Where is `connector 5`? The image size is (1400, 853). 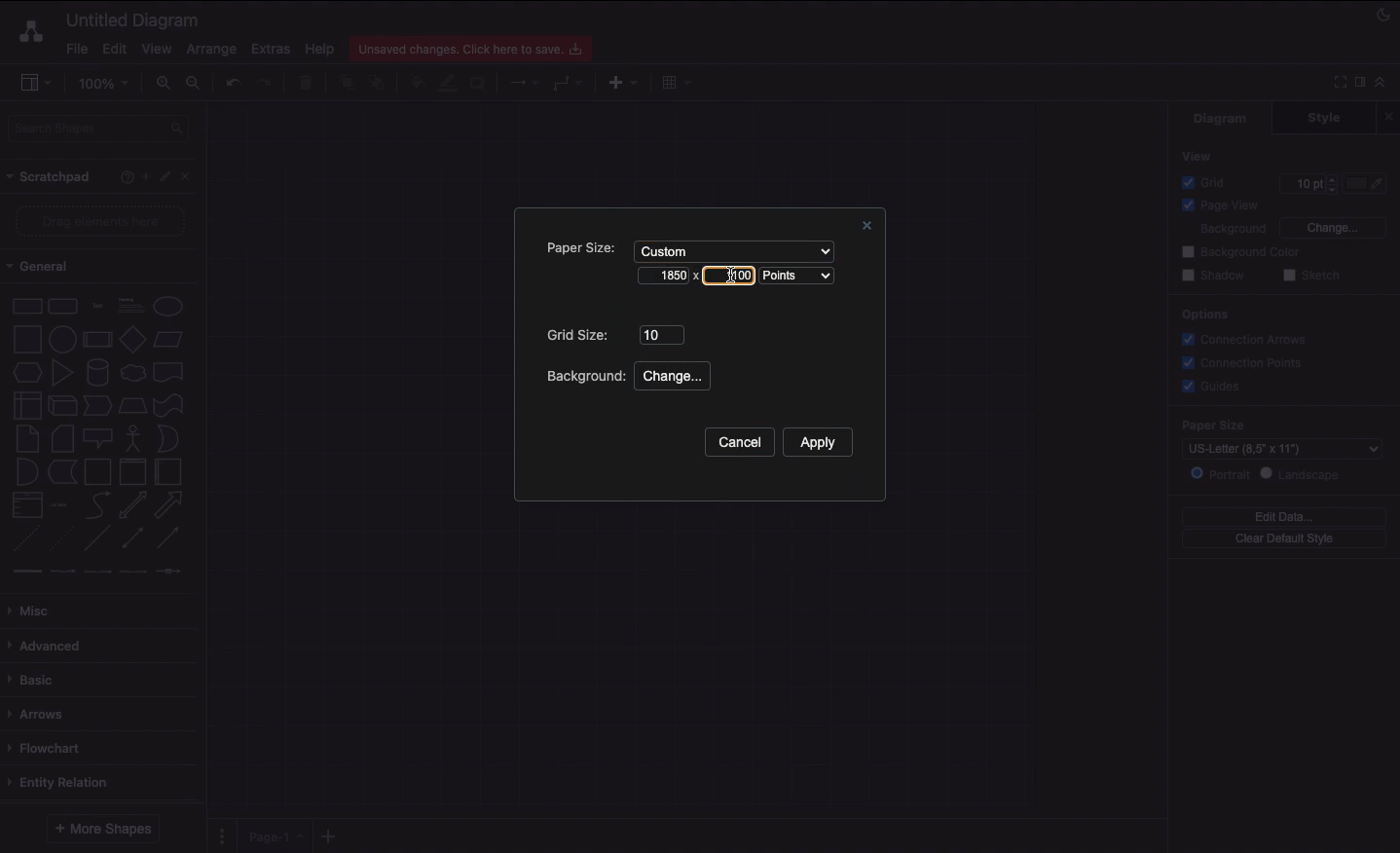
connector 5 is located at coordinates (170, 571).